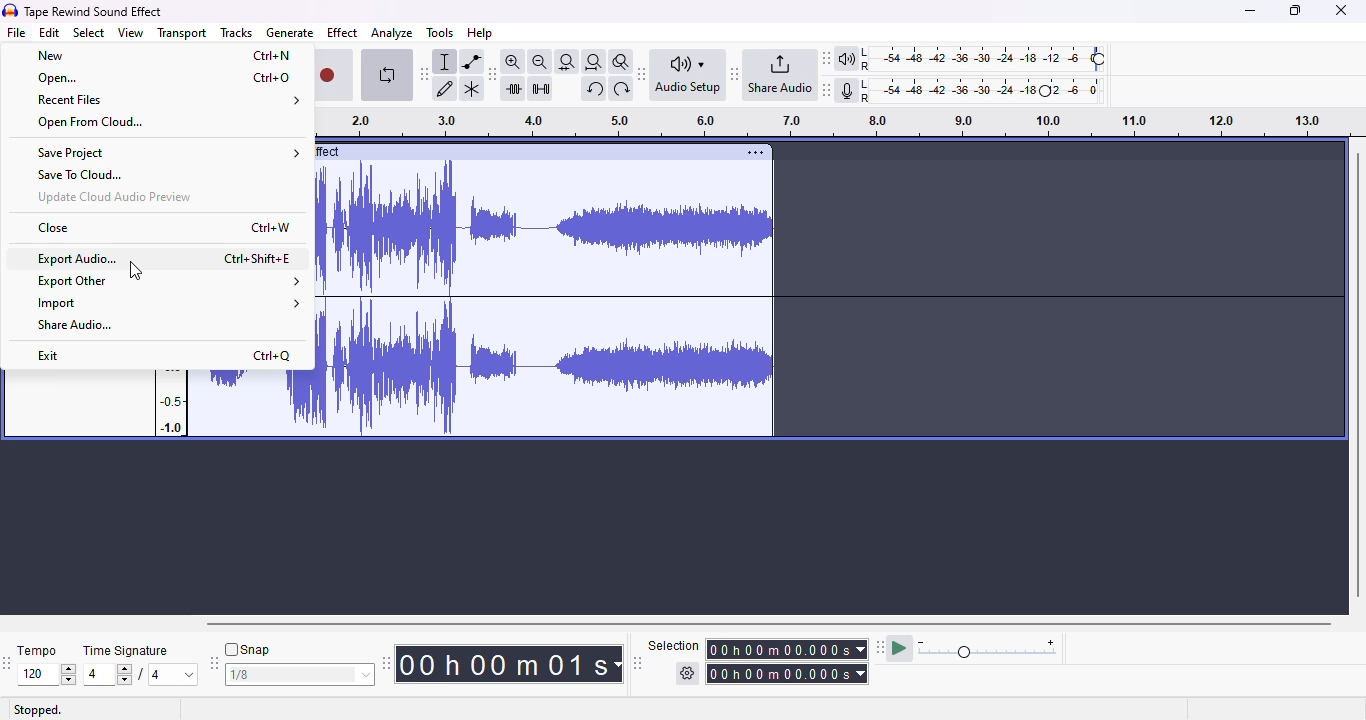 The width and height of the screenshot is (1366, 720). I want to click on audacity audio setup toolbar, so click(682, 76).